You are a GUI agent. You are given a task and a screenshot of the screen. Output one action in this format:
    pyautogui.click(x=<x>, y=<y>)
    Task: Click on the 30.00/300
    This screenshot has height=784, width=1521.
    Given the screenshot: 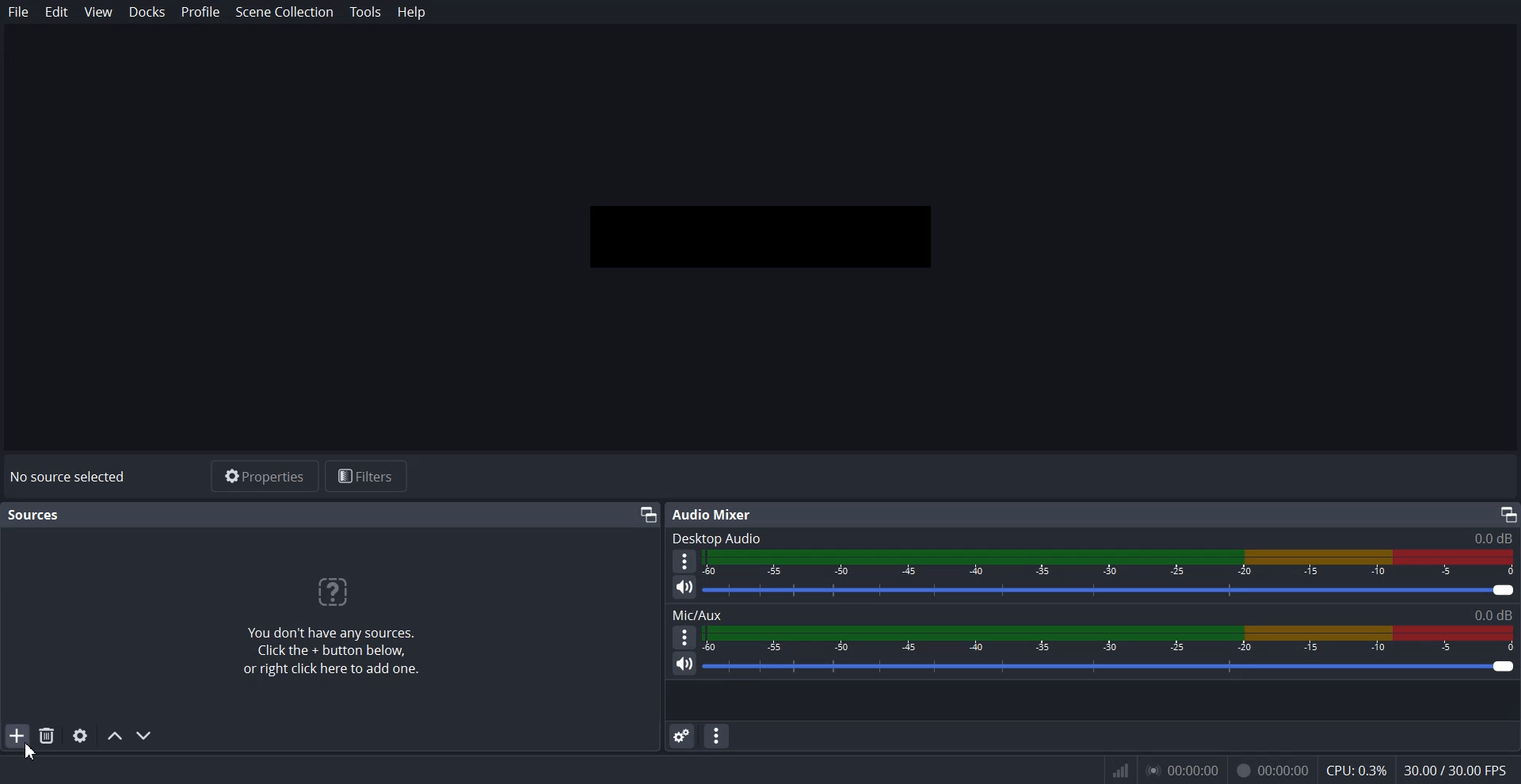 What is the action you would take?
    pyautogui.click(x=1461, y=771)
    